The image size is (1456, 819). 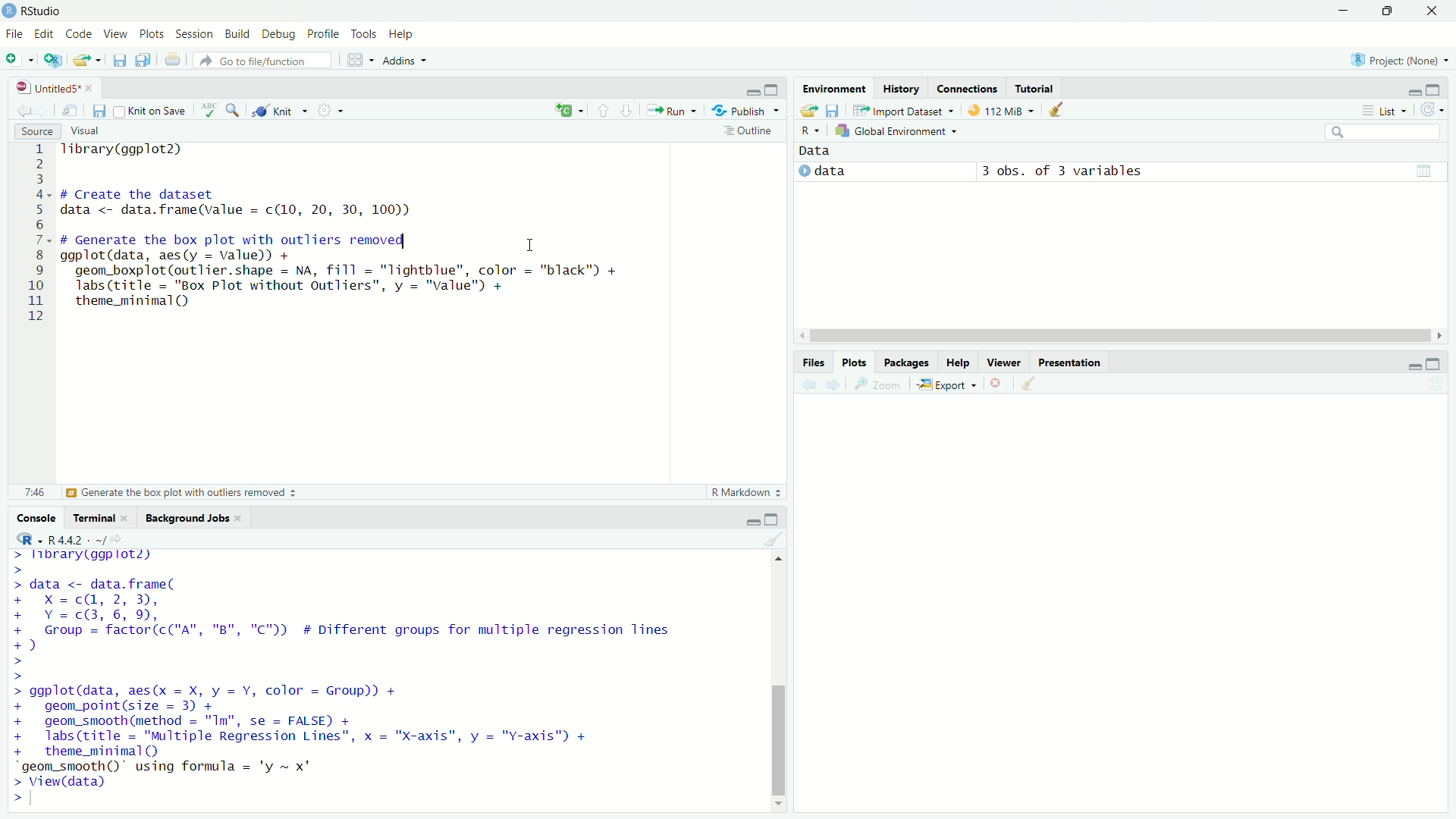 What do you see at coordinates (602, 109) in the screenshot?
I see `upward` at bounding box center [602, 109].